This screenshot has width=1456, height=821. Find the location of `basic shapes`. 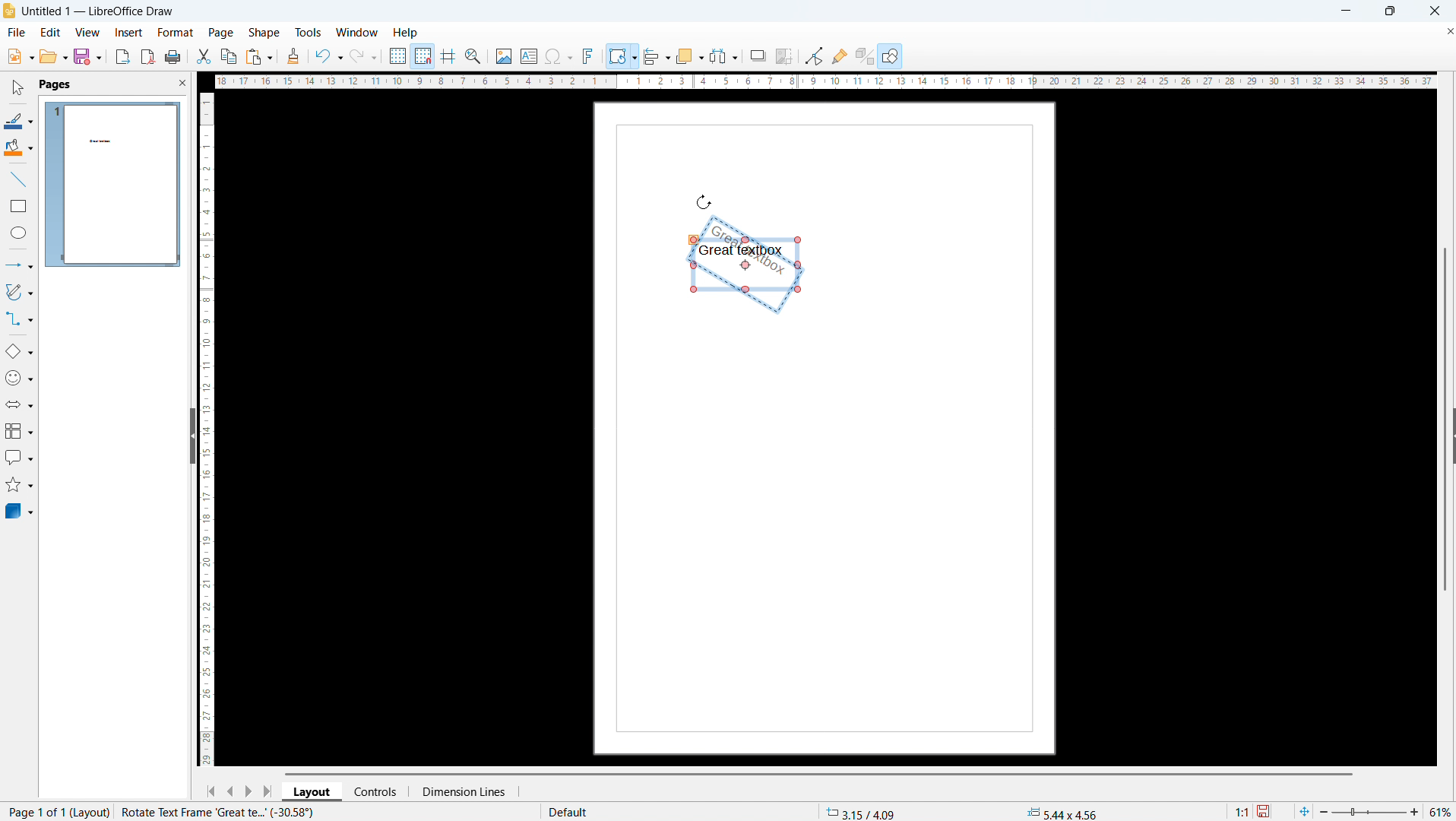

basic shapes is located at coordinates (19, 352).